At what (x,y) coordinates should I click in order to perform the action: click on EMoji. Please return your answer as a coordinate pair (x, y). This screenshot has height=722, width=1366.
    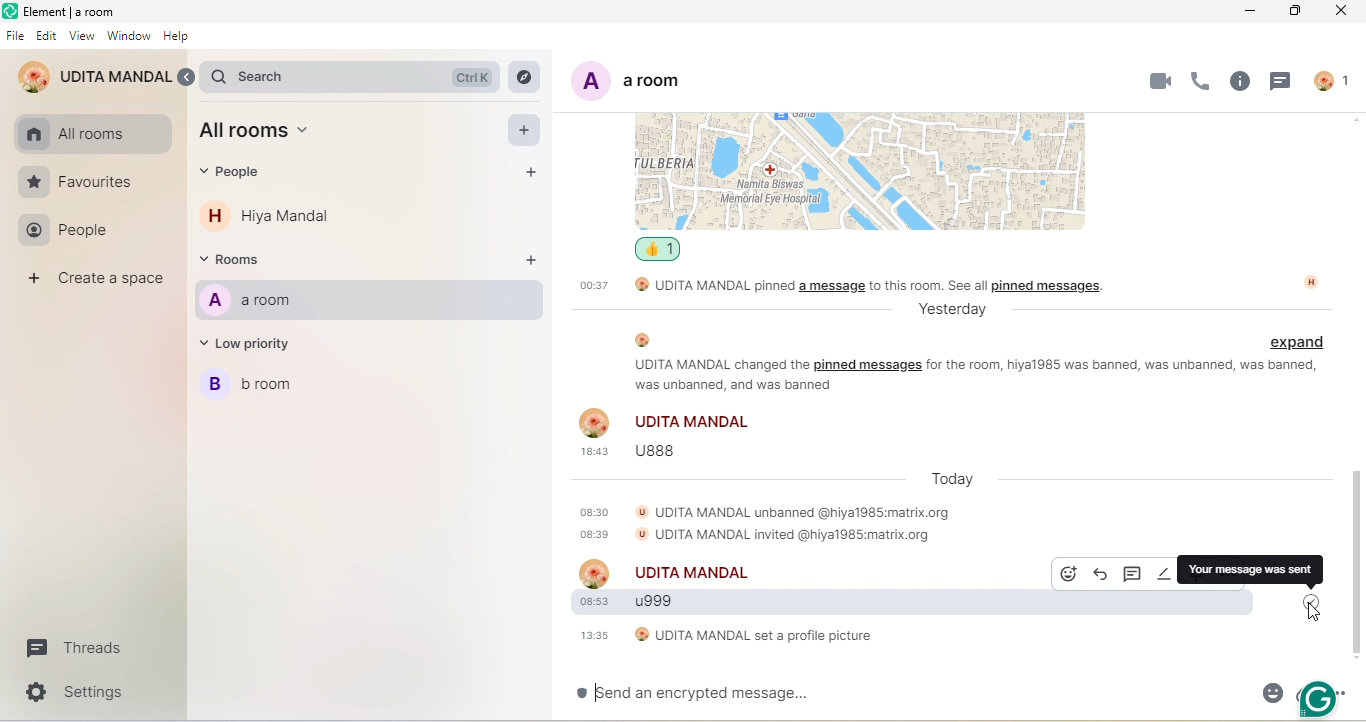
    Looking at the image, I should click on (1270, 695).